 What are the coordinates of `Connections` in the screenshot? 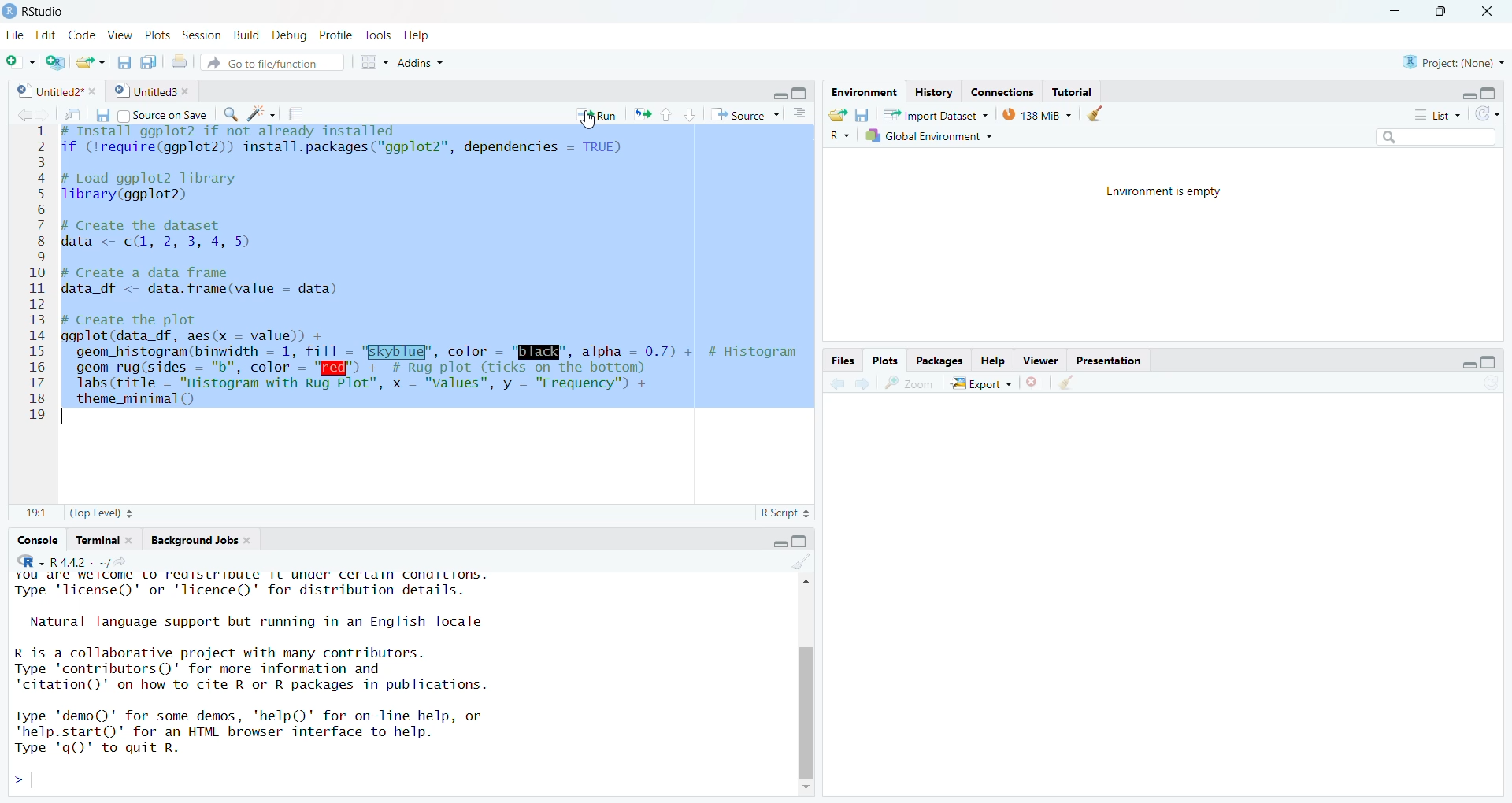 It's located at (999, 92).